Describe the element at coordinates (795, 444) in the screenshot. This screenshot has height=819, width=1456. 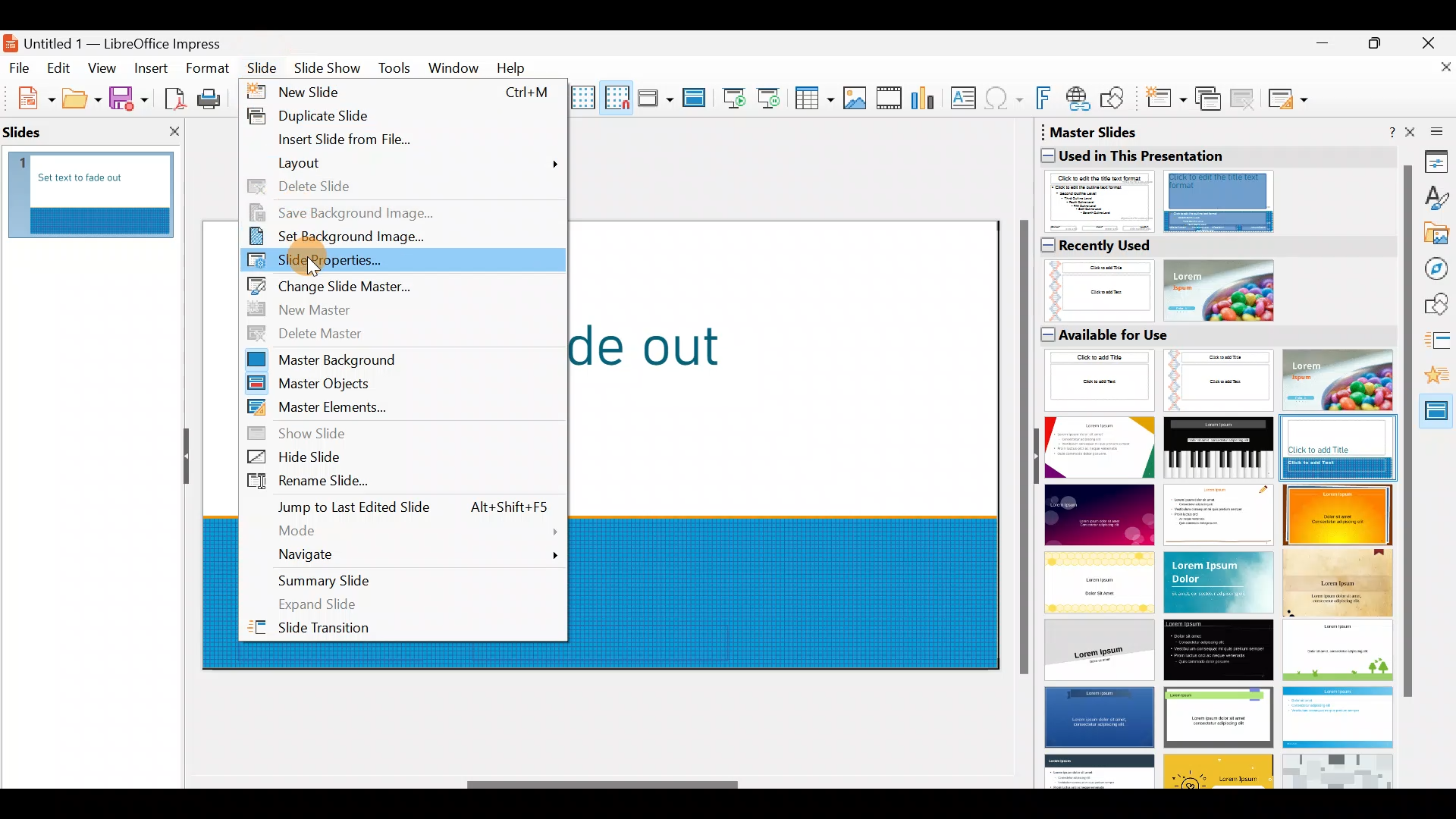
I see `Presentation slide` at that location.